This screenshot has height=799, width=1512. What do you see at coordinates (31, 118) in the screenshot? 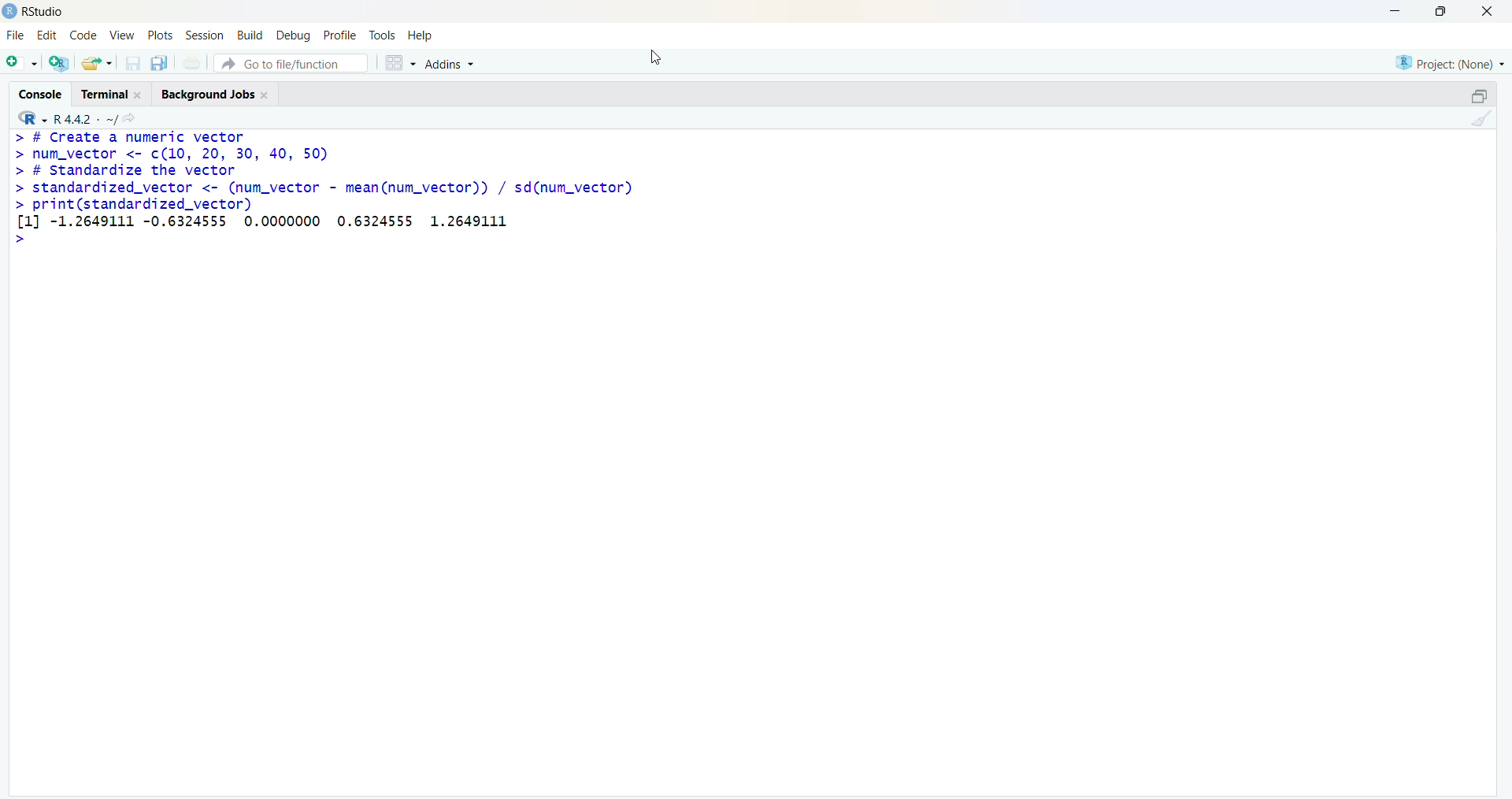
I see `R` at bounding box center [31, 118].